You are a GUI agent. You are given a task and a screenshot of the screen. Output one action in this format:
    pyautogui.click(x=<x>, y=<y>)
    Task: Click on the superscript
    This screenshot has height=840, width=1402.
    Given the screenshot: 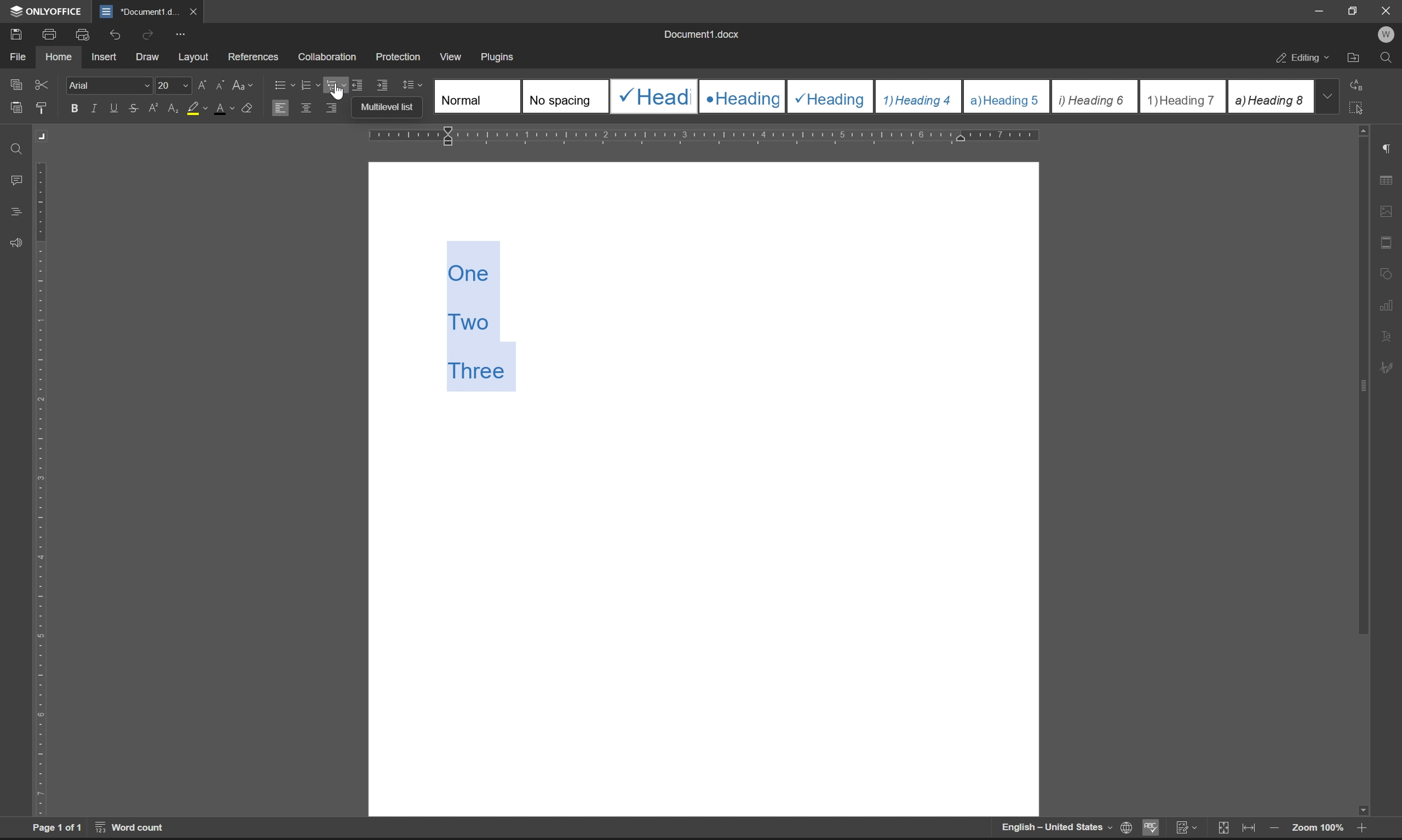 What is the action you would take?
    pyautogui.click(x=155, y=108)
    